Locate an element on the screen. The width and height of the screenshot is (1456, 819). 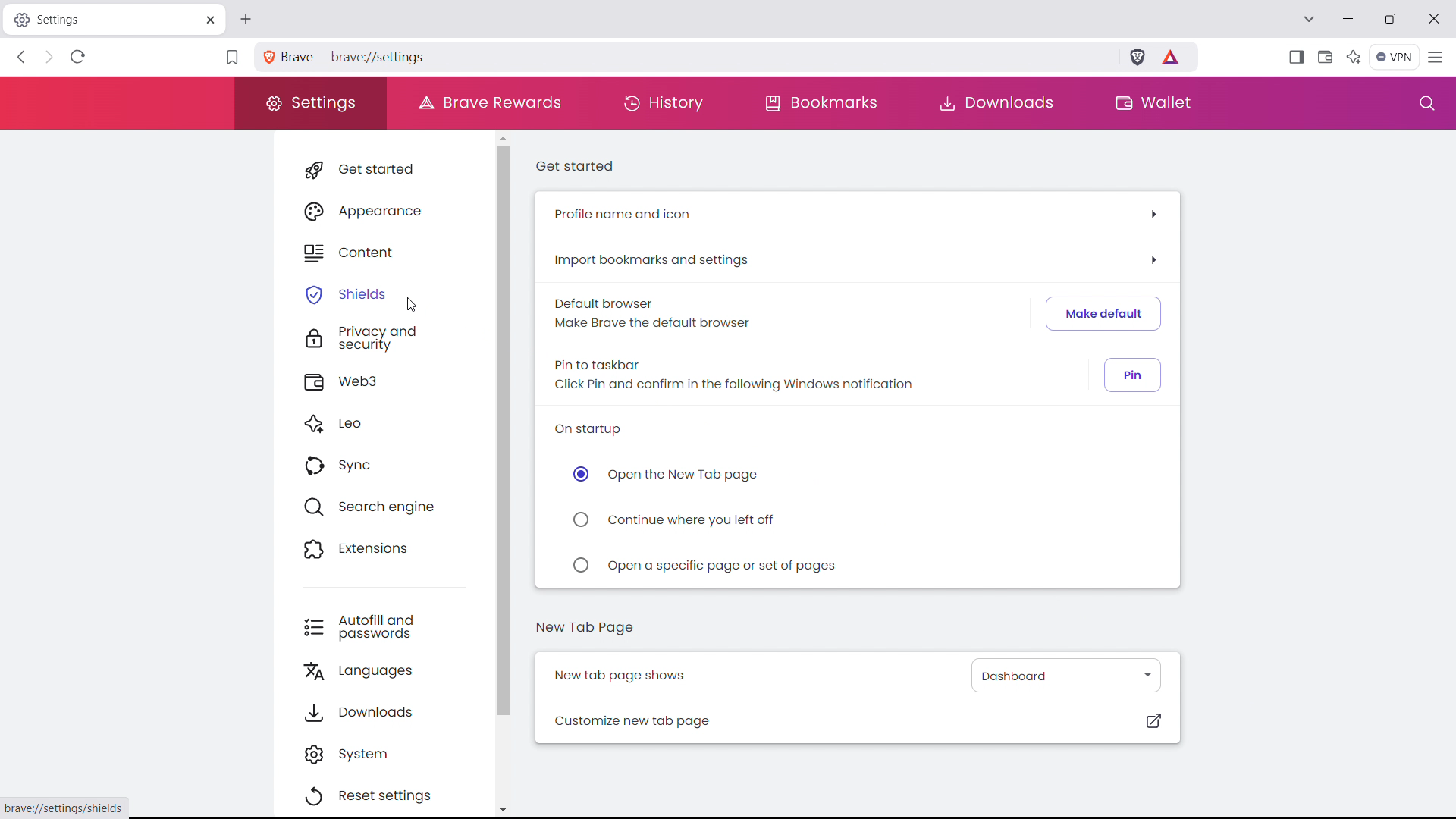
view site information is located at coordinates (267, 57).